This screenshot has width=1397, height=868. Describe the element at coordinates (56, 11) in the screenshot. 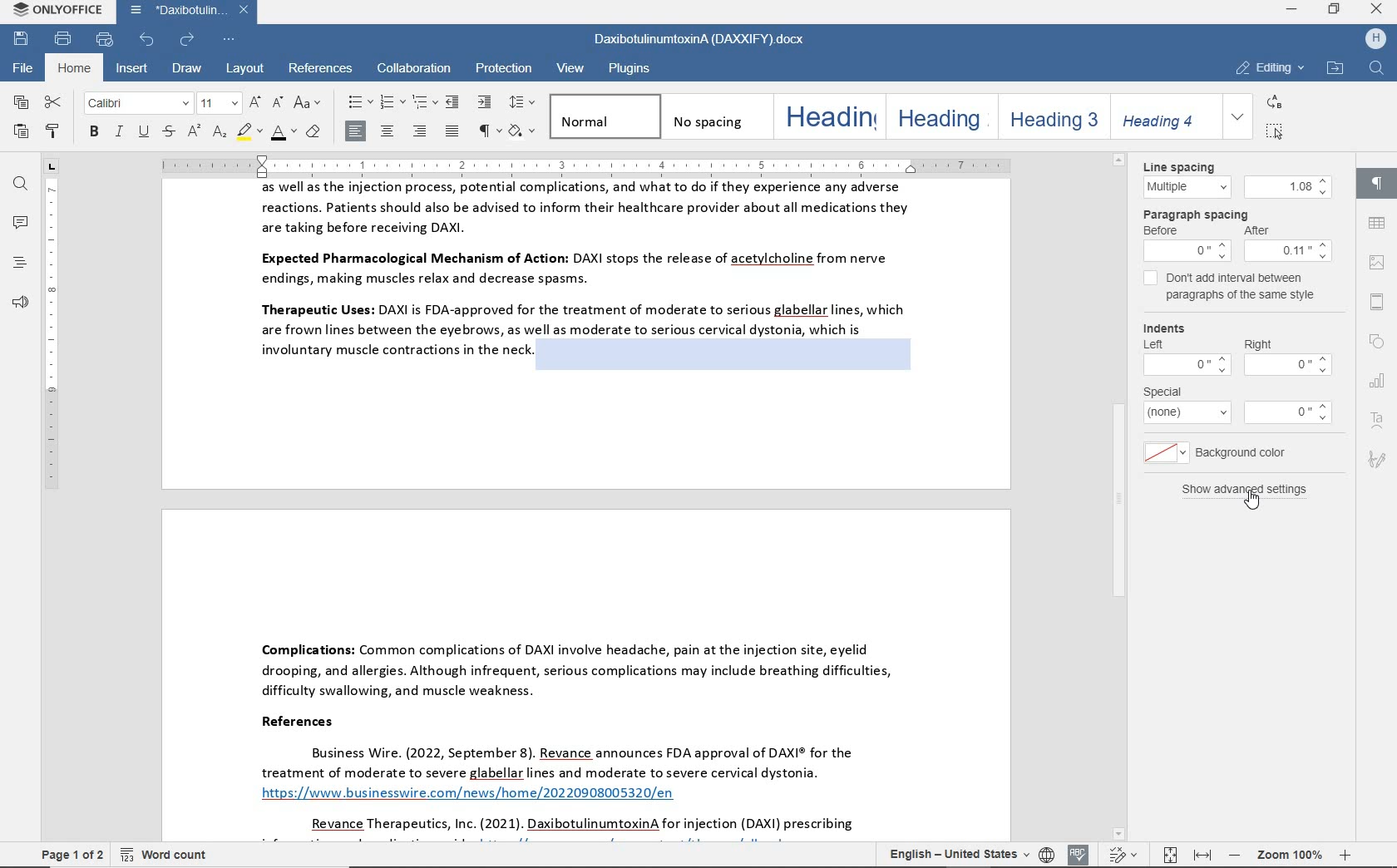

I see `system name` at that location.